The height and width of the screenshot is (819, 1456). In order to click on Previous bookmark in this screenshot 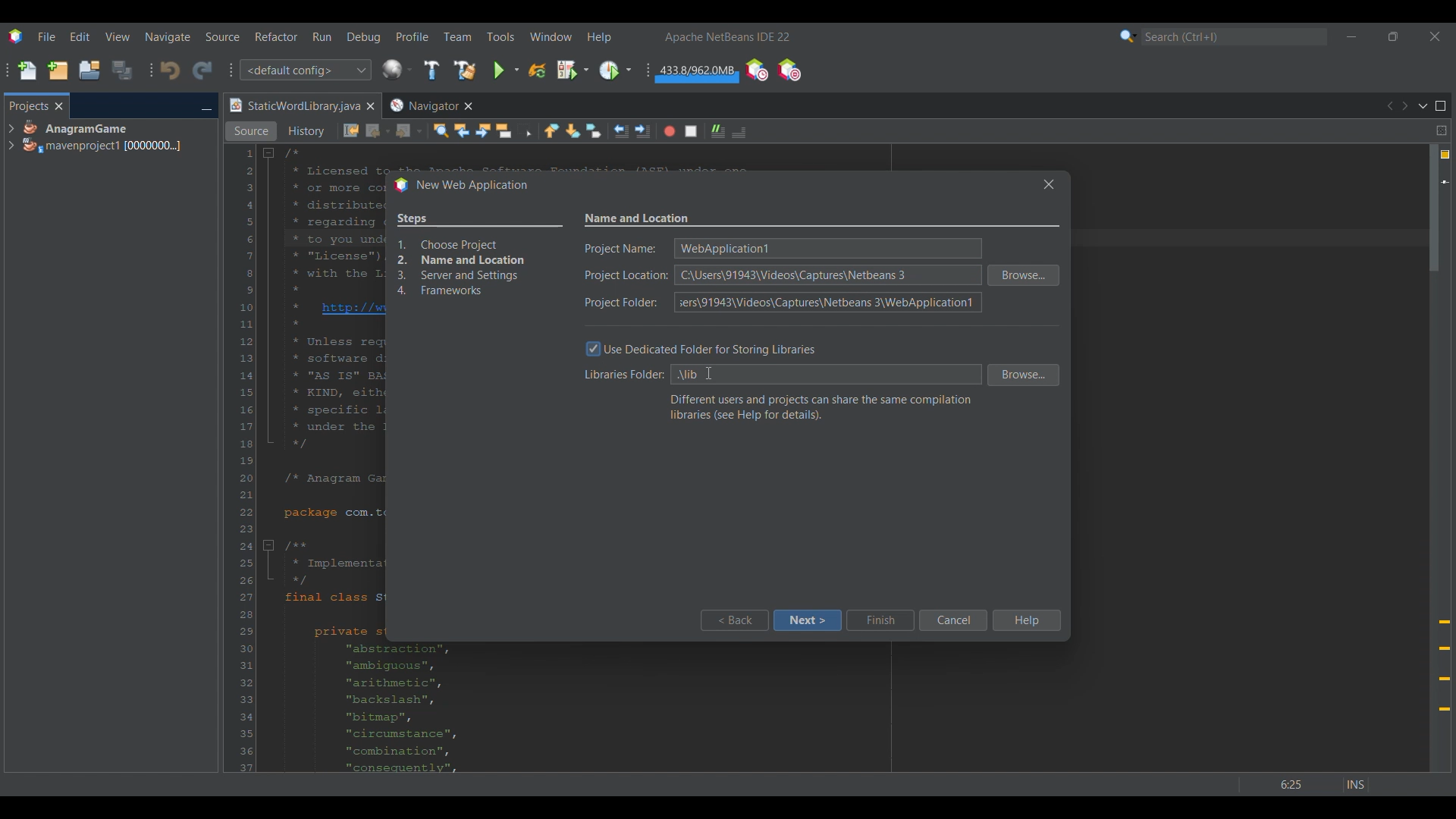, I will do `click(551, 130)`.